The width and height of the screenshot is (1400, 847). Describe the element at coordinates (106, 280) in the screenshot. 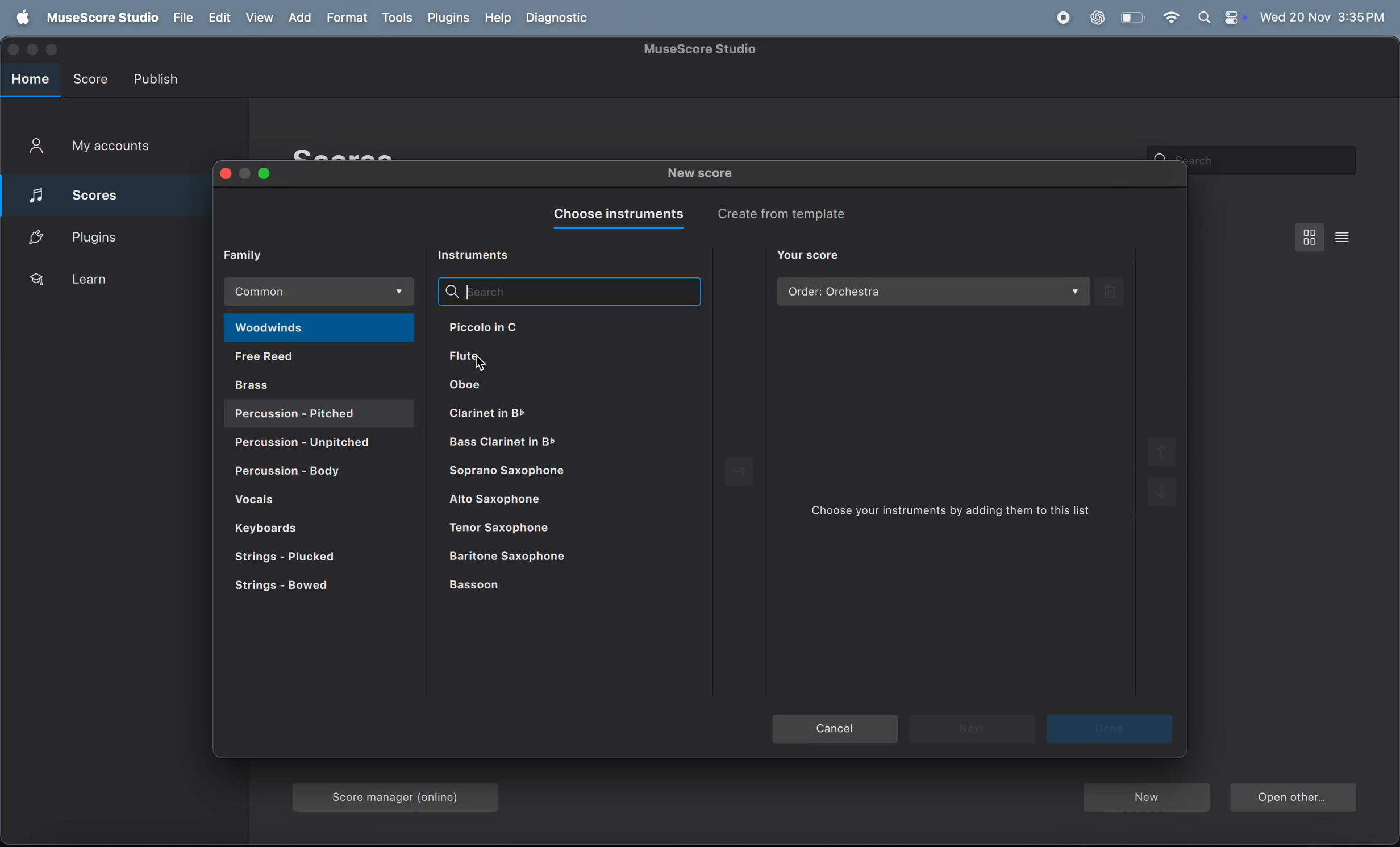

I see `learn` at that location.